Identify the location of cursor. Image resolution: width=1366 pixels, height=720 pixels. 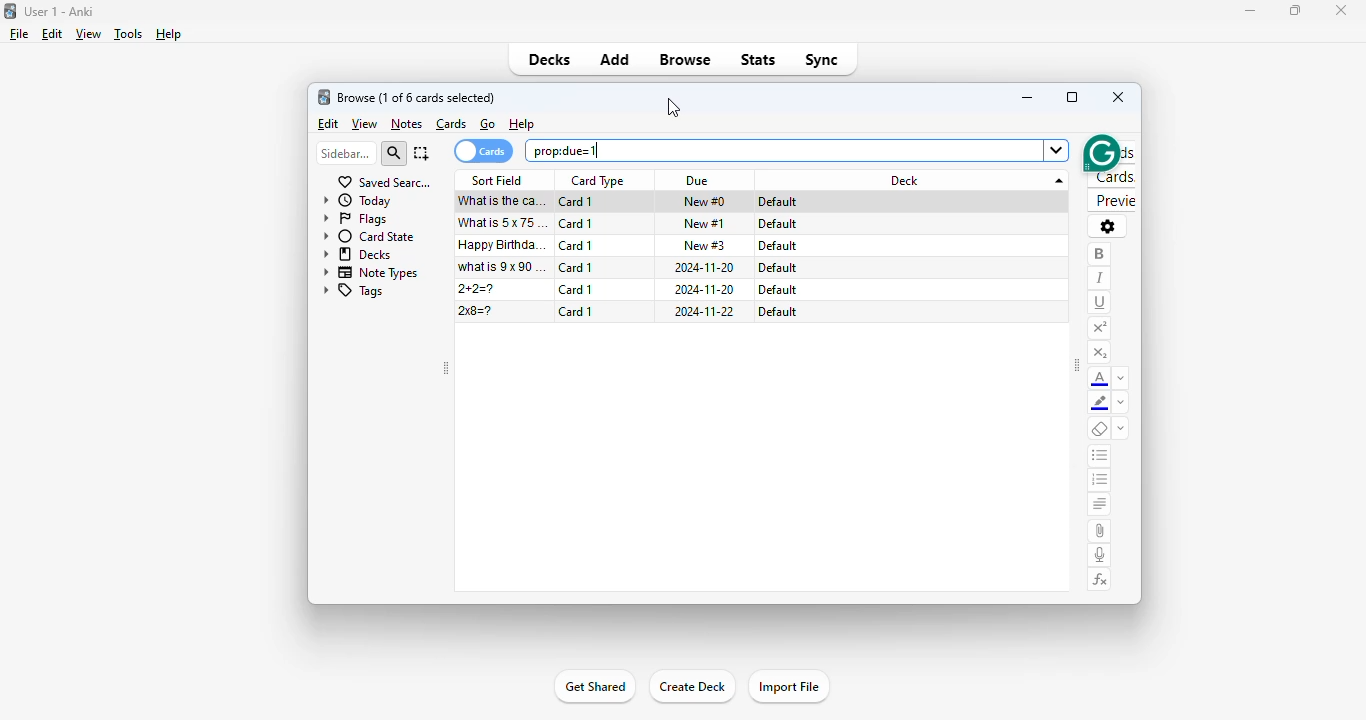
(674, 107).